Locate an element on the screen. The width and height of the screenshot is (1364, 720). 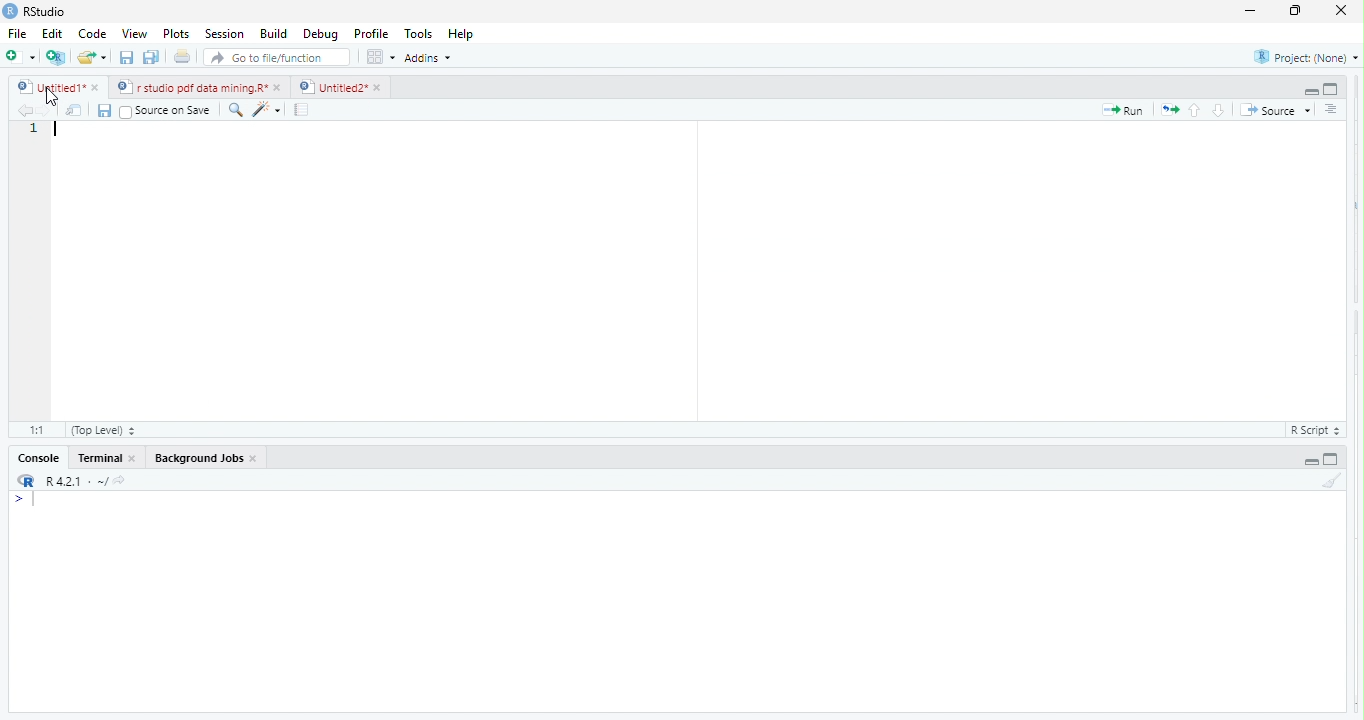
close is located at coordinates (1335, 10).